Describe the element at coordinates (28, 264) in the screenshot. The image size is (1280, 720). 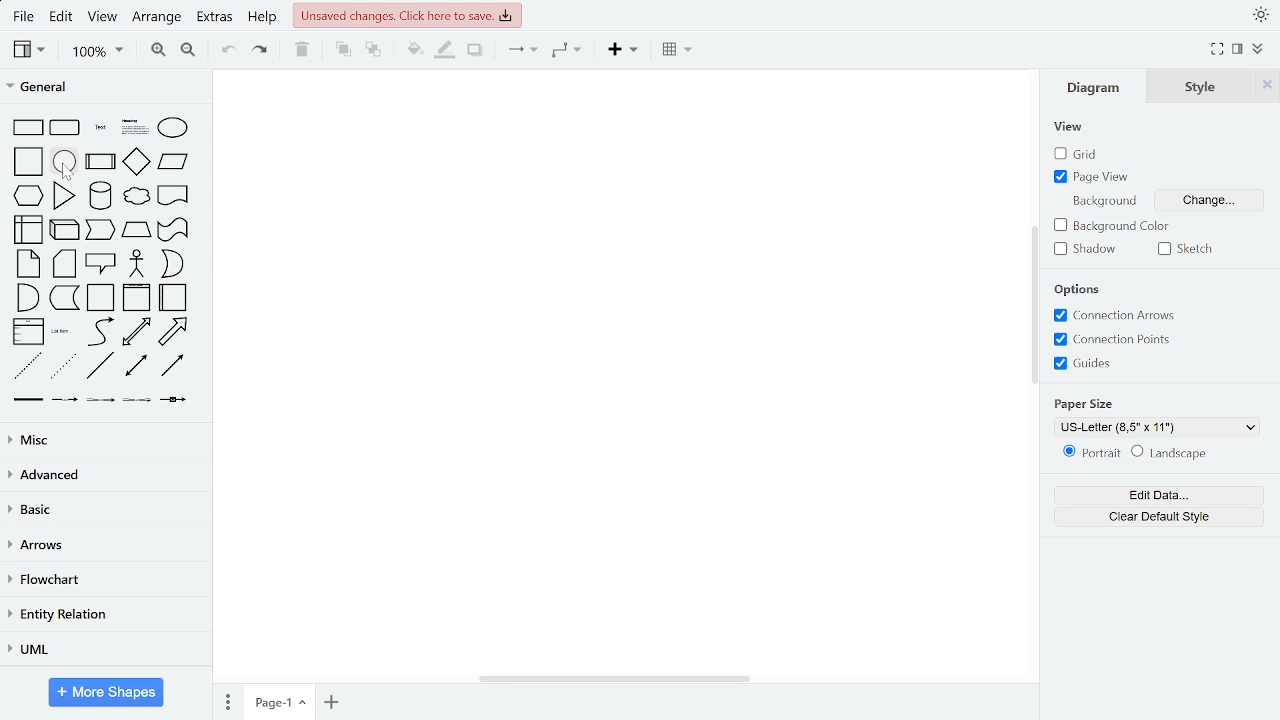
I see `note` at that location.